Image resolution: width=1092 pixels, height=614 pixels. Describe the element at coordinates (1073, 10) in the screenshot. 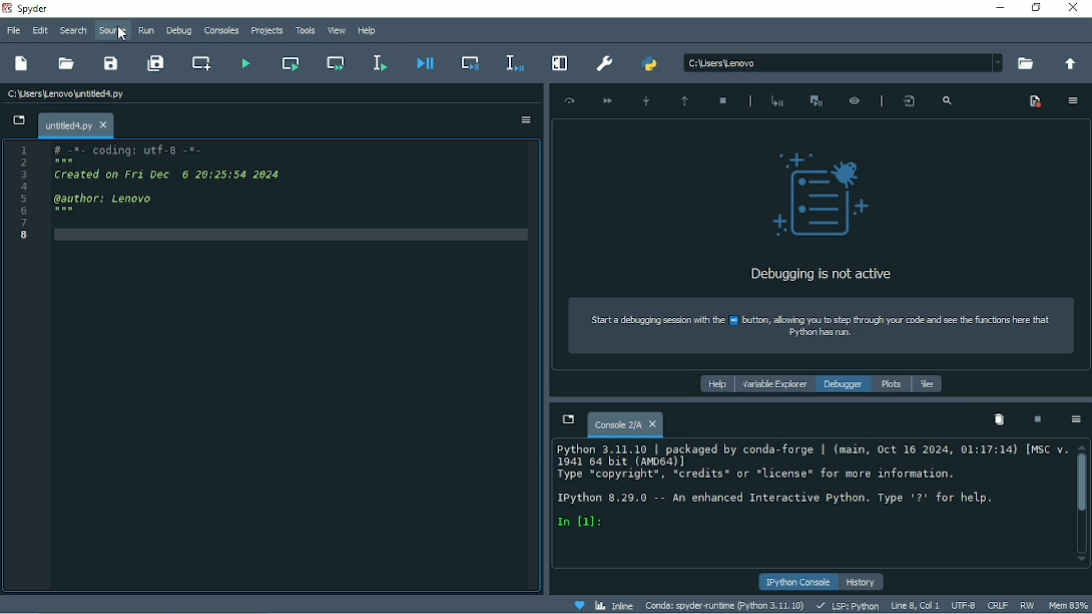

I see `Close` at that location.